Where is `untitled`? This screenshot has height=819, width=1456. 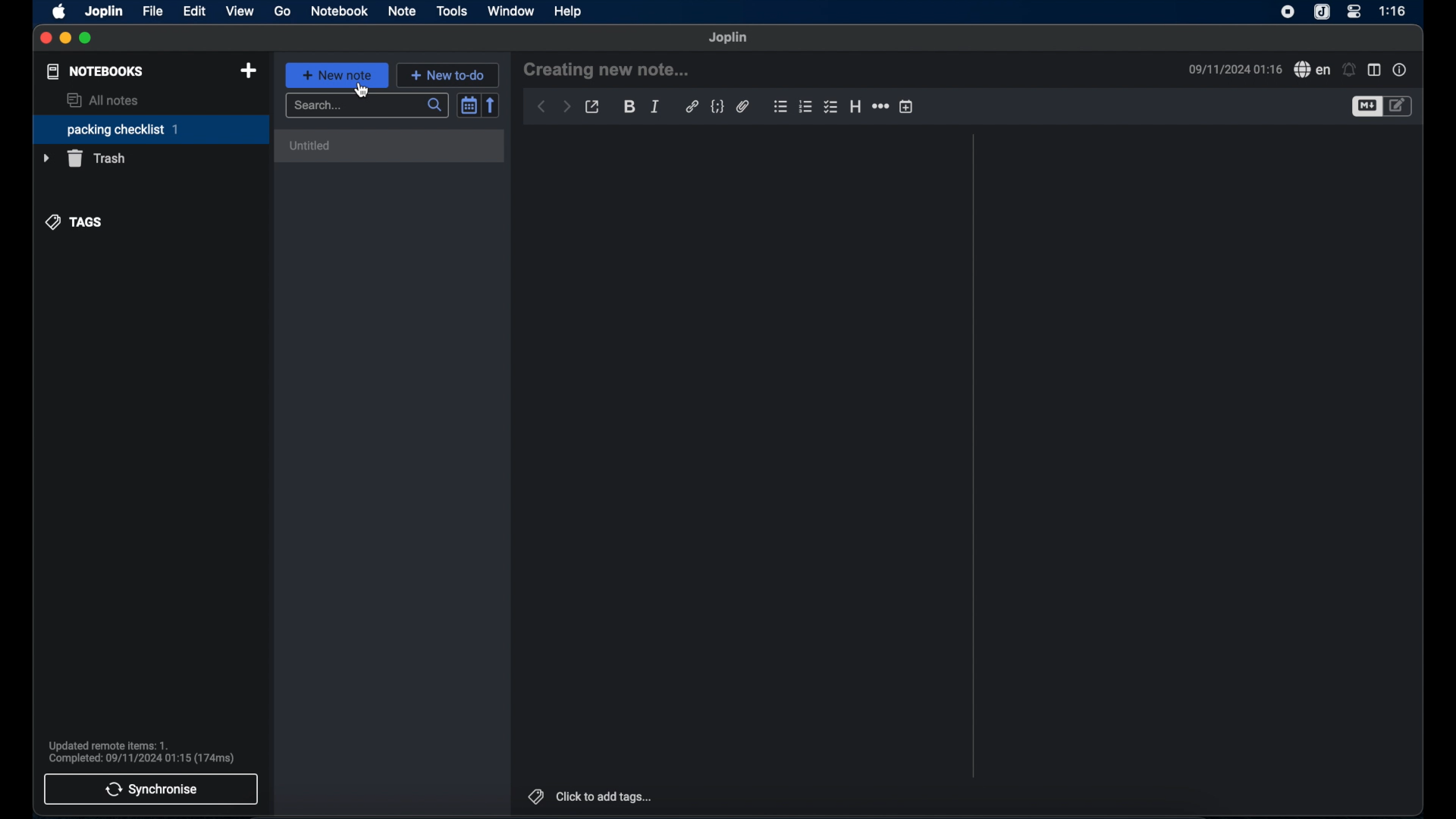 untitled is located at coordinates (392, 146).